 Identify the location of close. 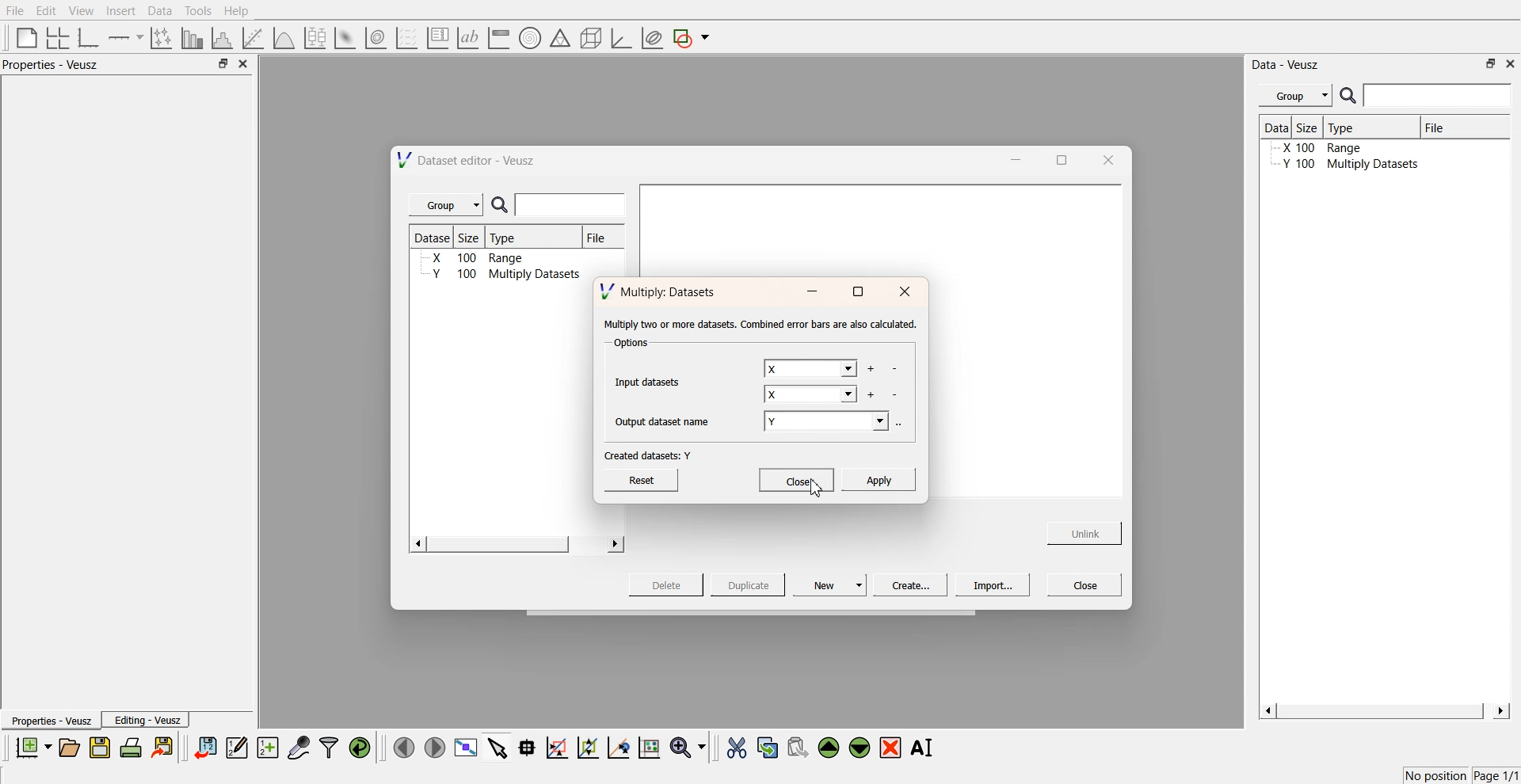
(905, 292).